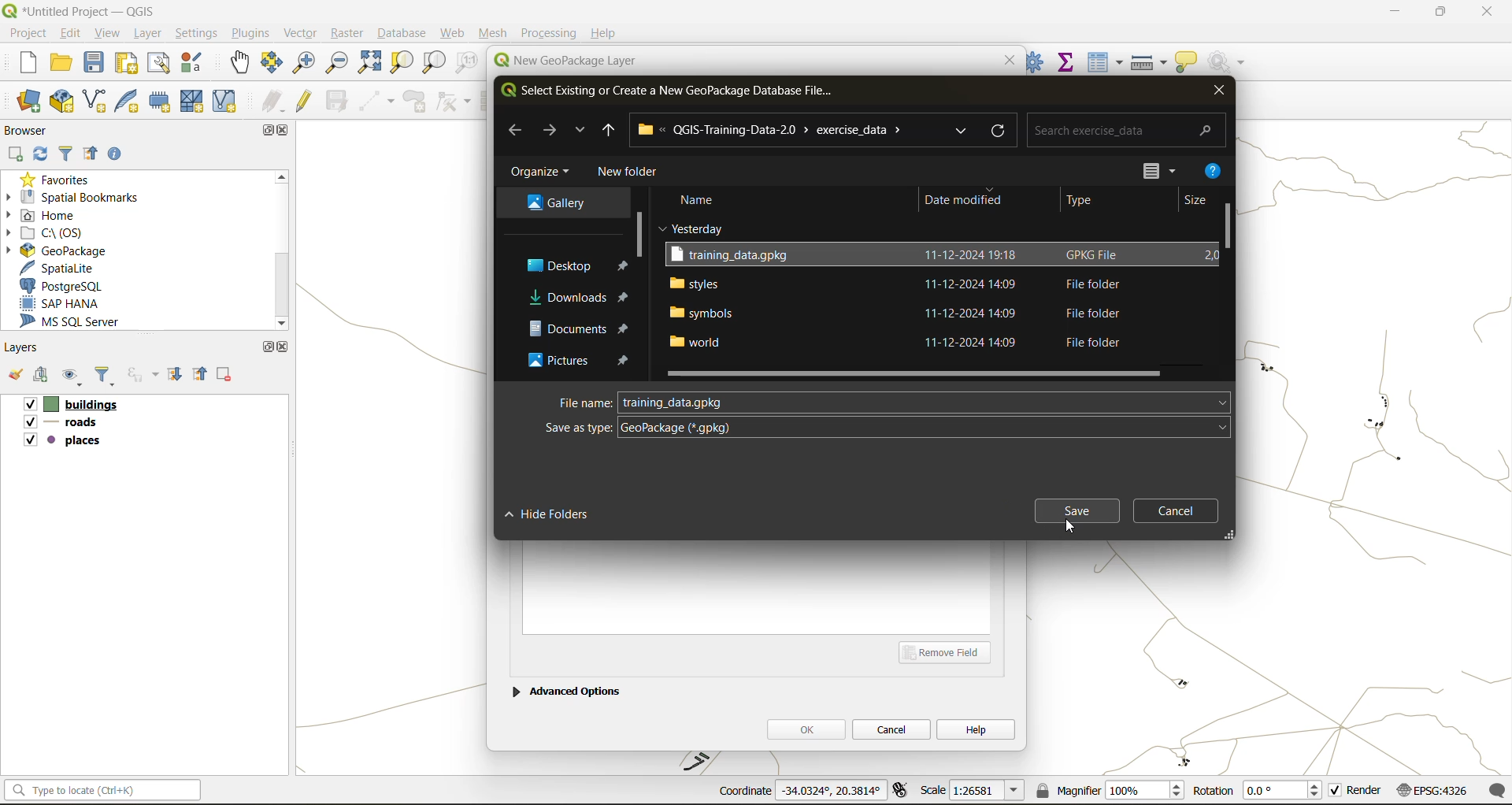 This screenshot has width=1512, height=805. What do you see at coordinates (1214, 169) in the screenshot?
I see `help` at bounding box center [1214, 169].